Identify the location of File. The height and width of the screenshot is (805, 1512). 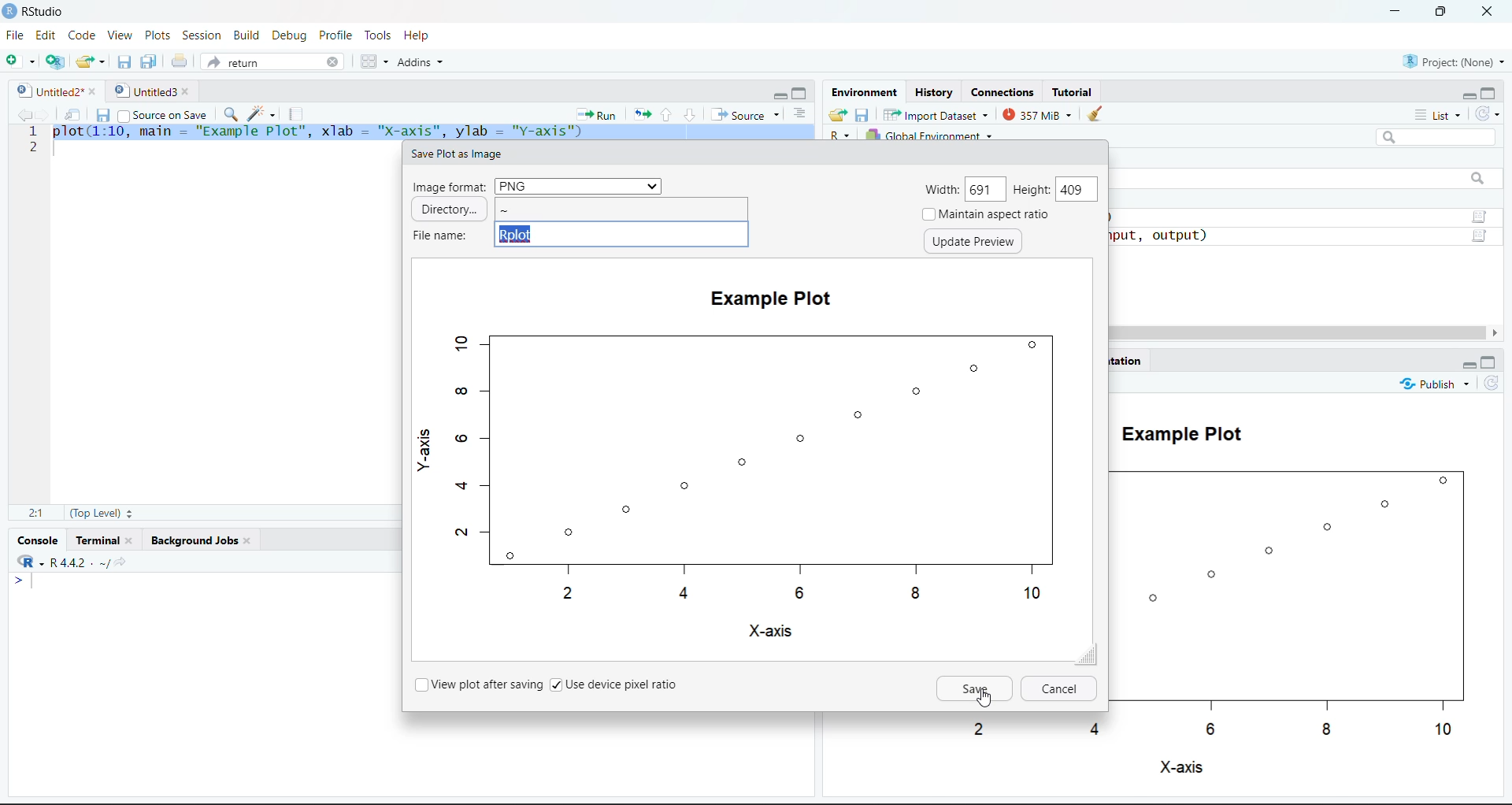
(17, 34).